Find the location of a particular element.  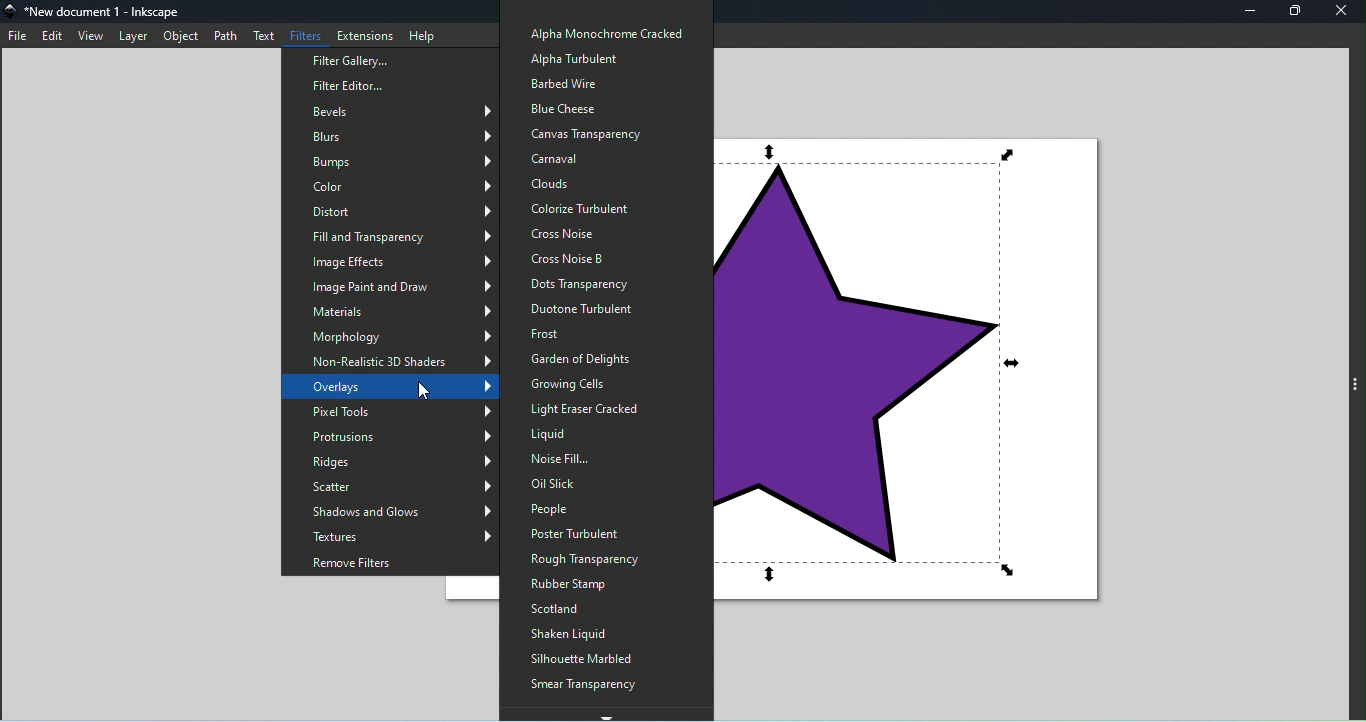

Filter Gallery is located at coordinates (384, 61).